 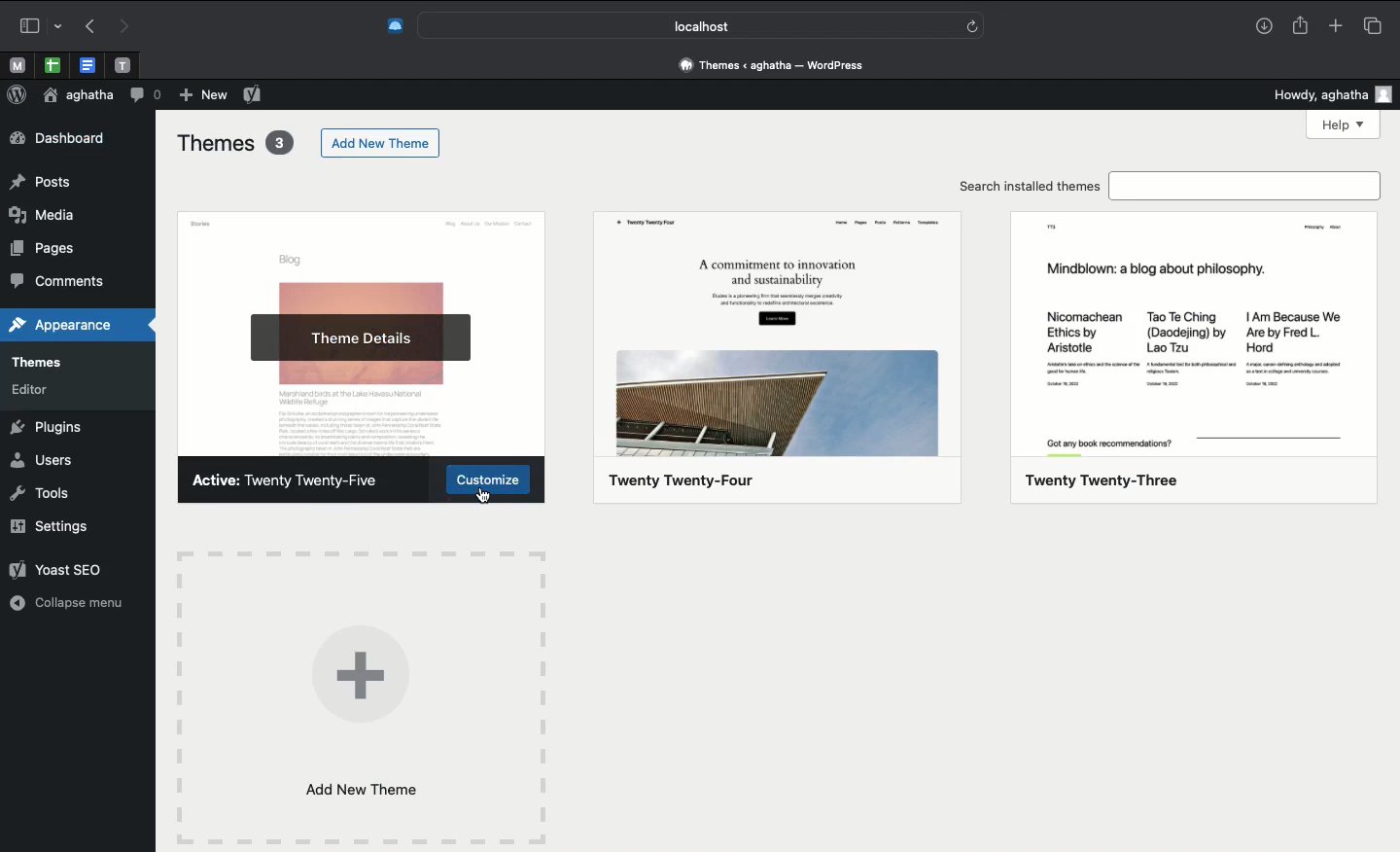 What do you see at coordinates (235, 144) in the screenshot?
I see `Themes` at bounding box center [235, 144].